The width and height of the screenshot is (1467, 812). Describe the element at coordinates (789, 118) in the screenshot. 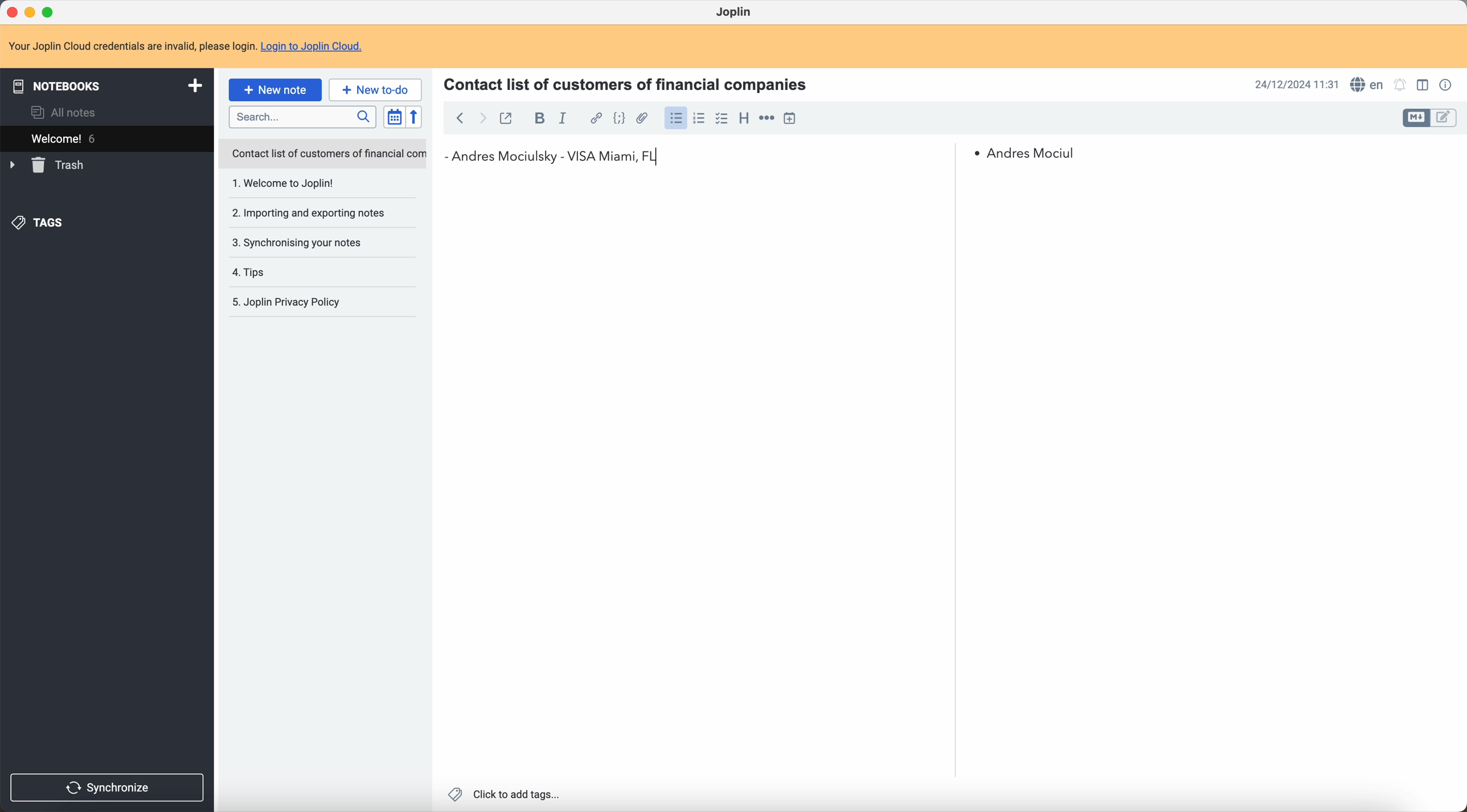

I see `insert time` at that location.